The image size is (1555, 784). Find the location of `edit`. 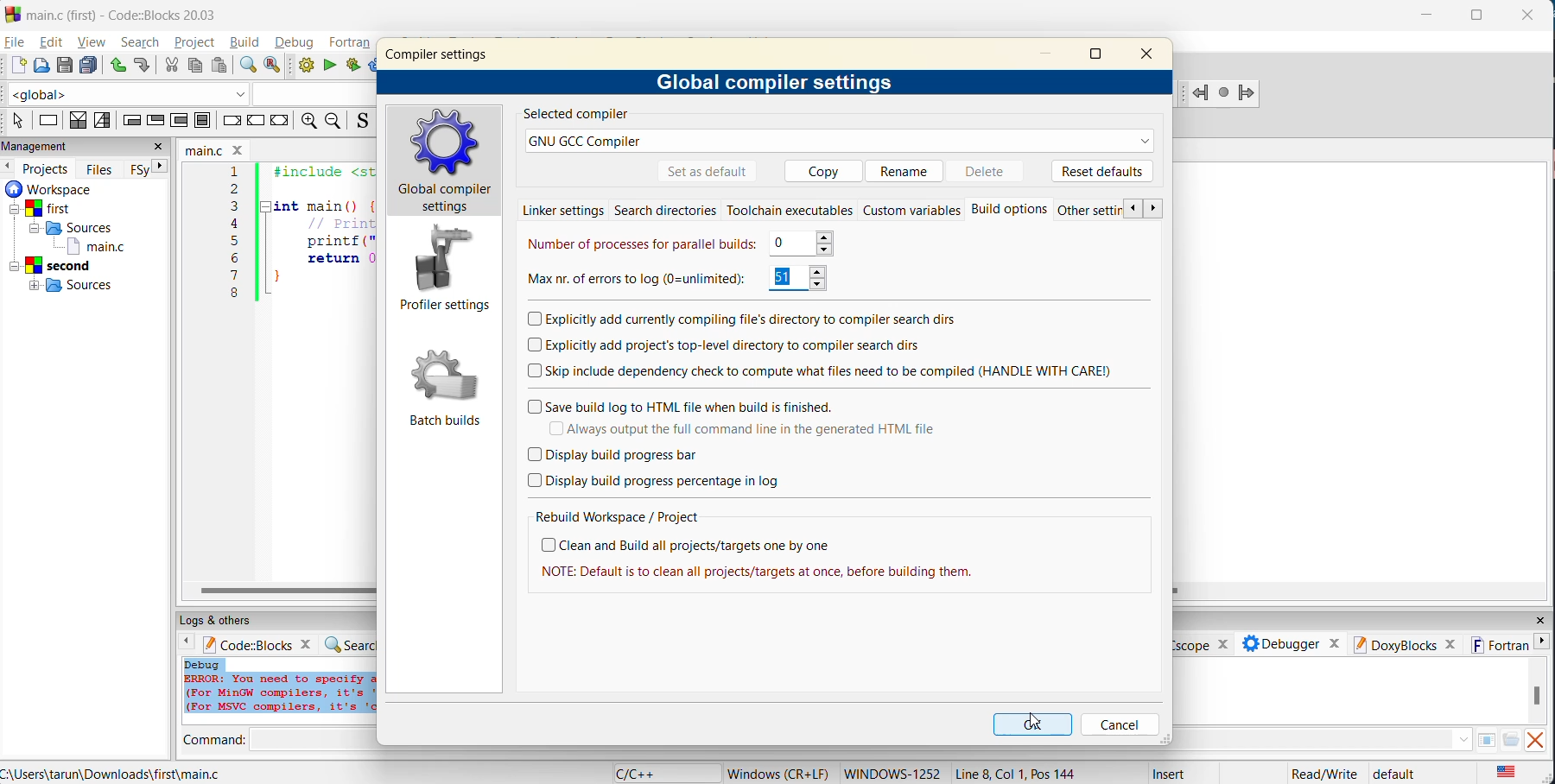

edit is located at coordinates (52, 42).